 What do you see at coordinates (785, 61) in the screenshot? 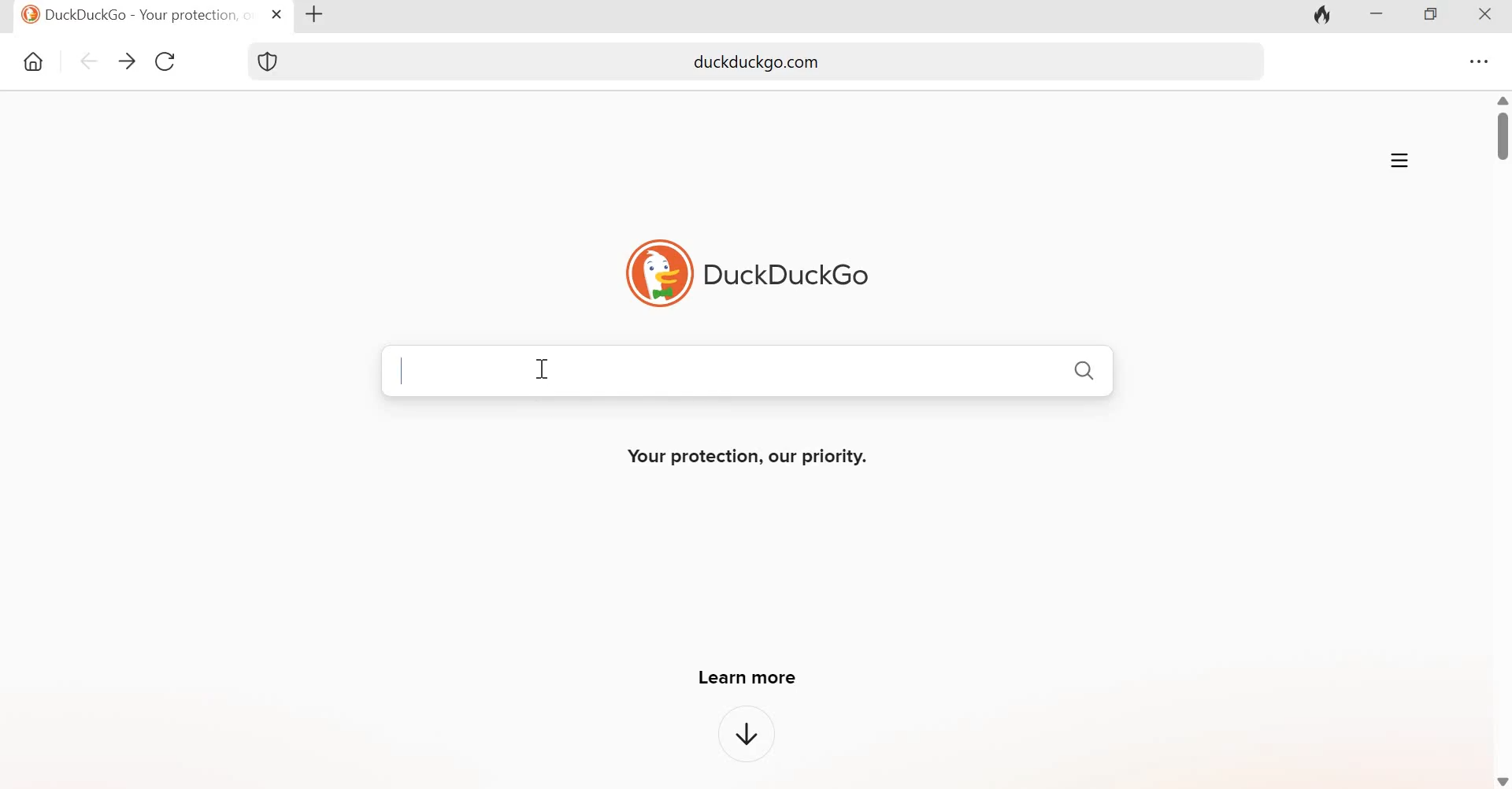
I see `duckduckgo.com` at bounding box center [785, 61].